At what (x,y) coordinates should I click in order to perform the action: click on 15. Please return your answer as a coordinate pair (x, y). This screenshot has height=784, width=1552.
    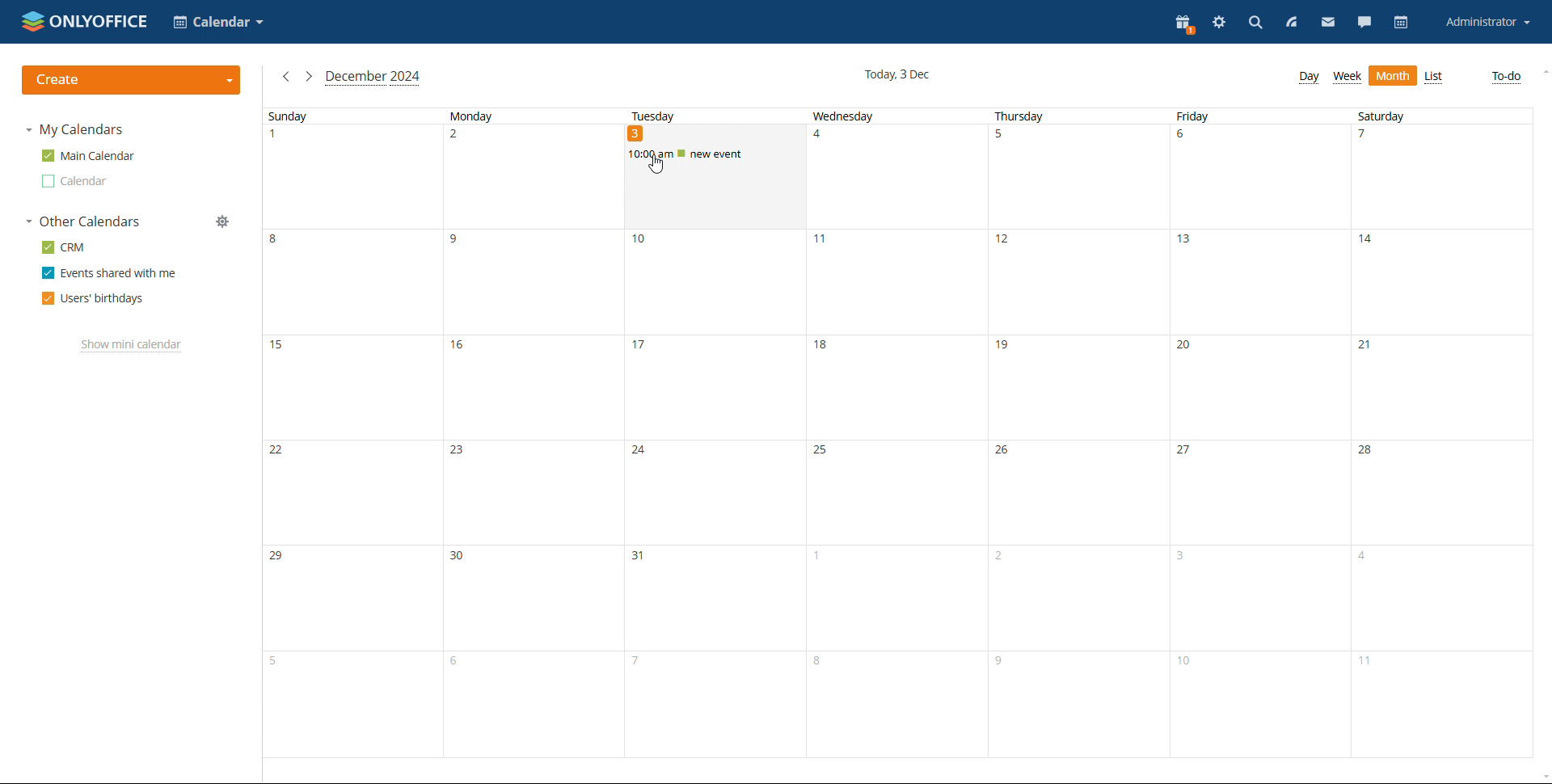
    Looking at the image, I should click on (352, 387).